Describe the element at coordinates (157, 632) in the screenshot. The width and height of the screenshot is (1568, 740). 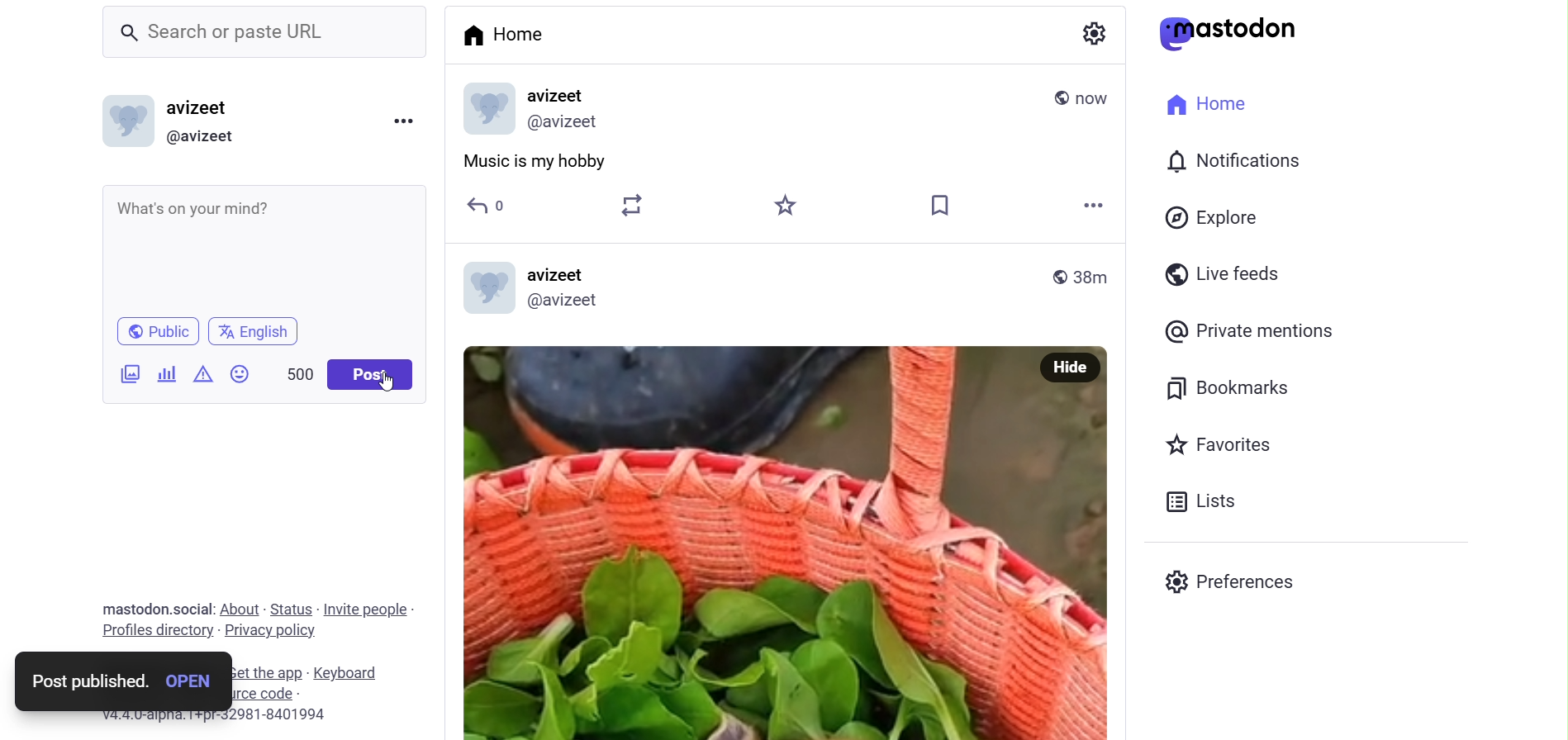
I see `Profiles Directories` at that location.